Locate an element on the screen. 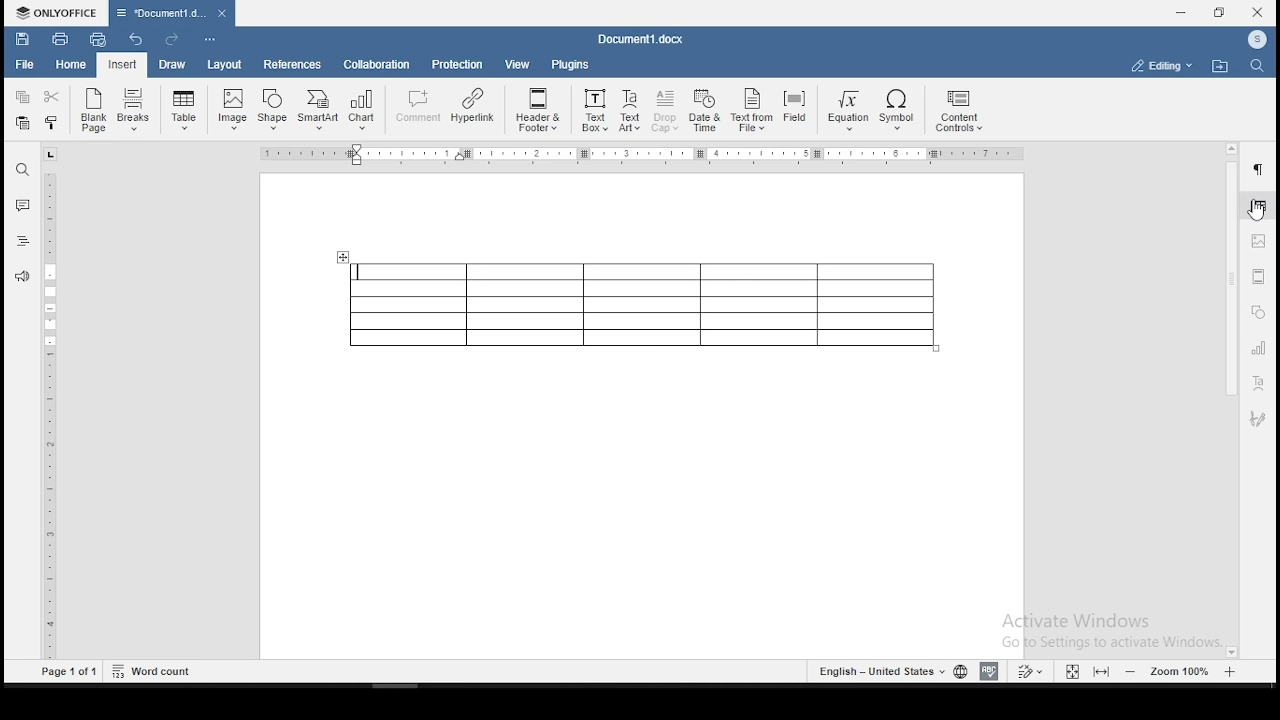 The height and width of the screenshot is (720, 1280). paste is located at coordinates (23, 126).